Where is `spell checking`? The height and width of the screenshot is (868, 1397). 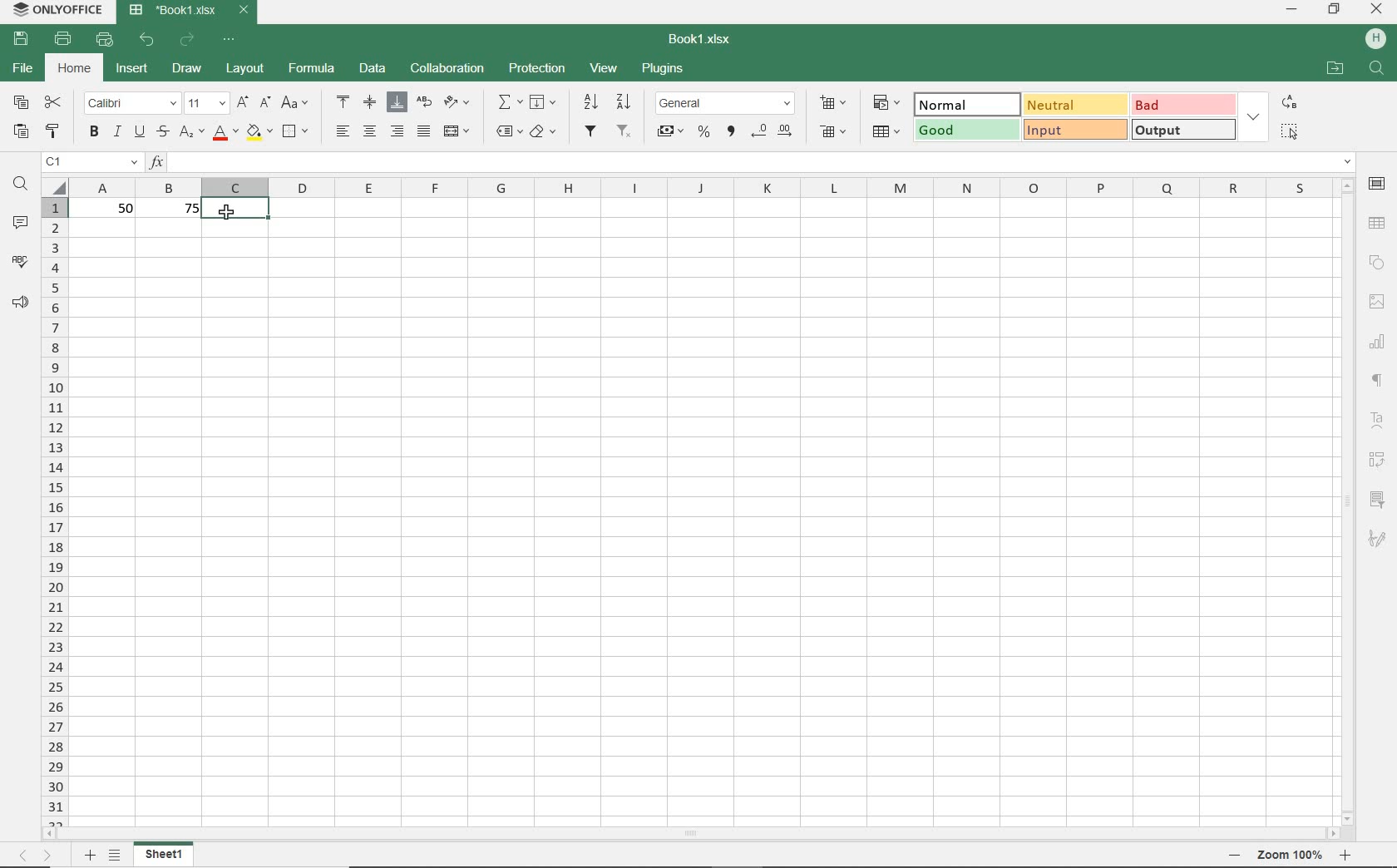
spell checking is located at coordinates (20, 262).